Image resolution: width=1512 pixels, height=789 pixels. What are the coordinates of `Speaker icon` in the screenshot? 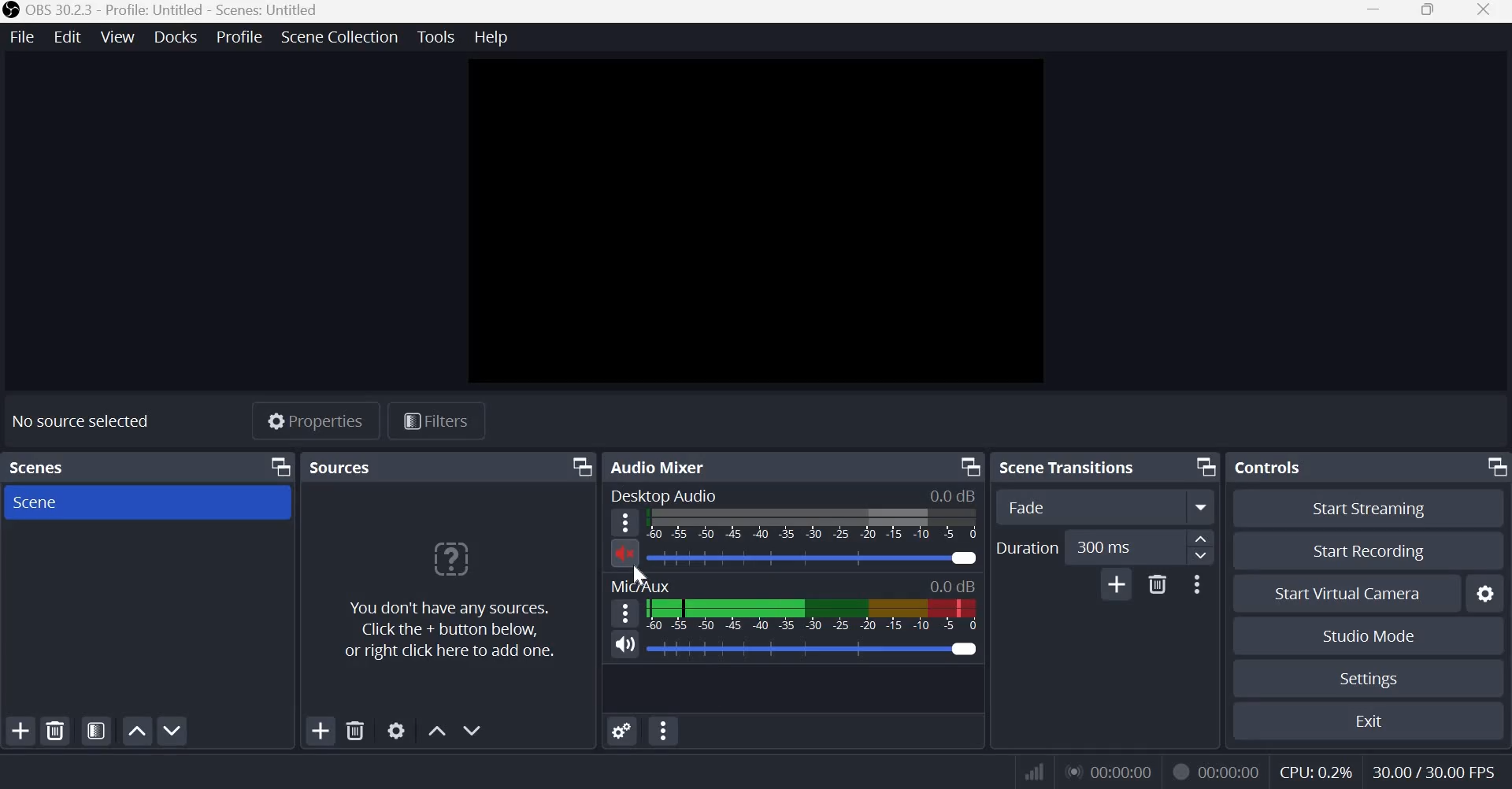 It's located at (626, 643).